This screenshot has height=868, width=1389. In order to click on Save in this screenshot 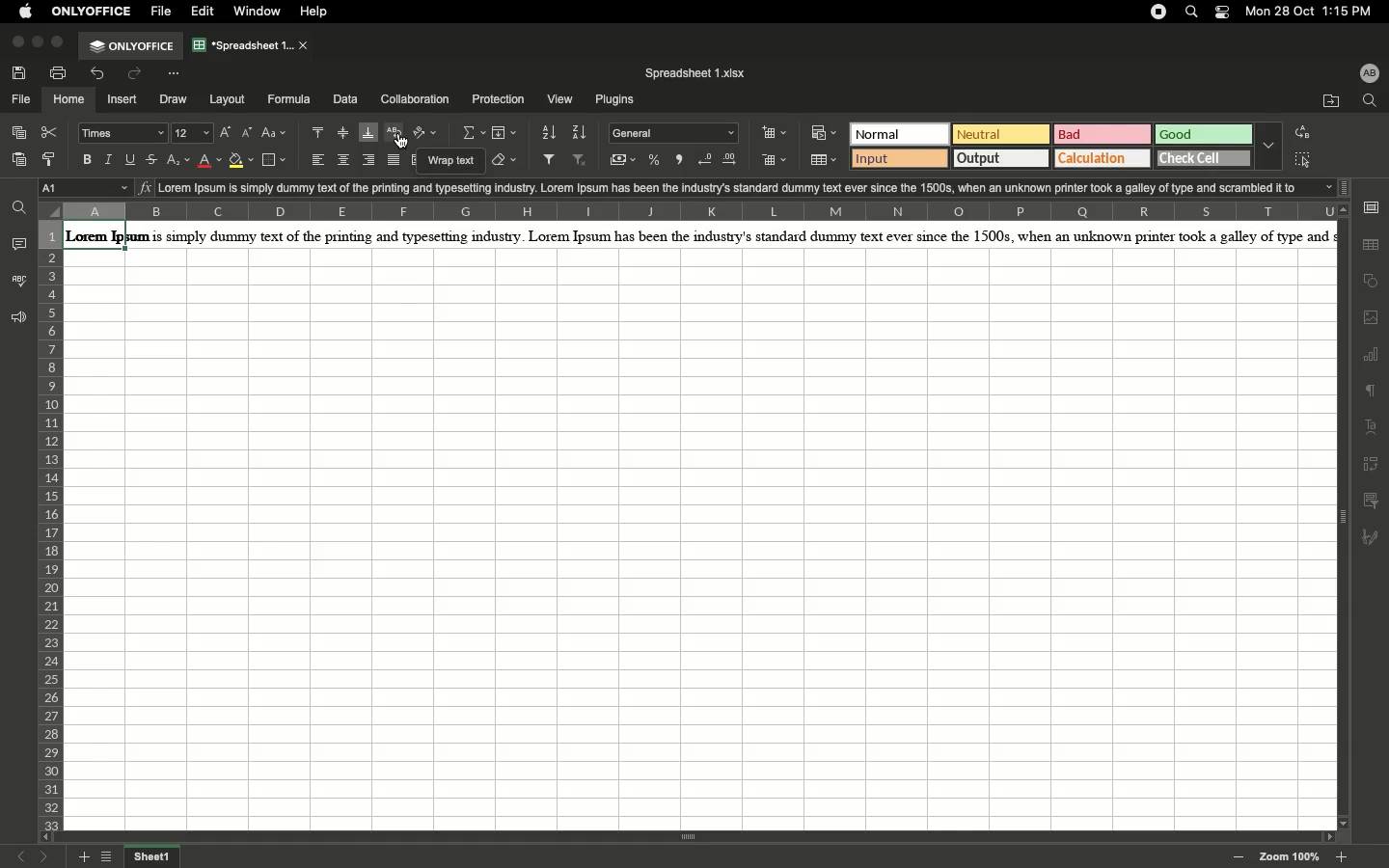, I will do `click(22, 73)`.